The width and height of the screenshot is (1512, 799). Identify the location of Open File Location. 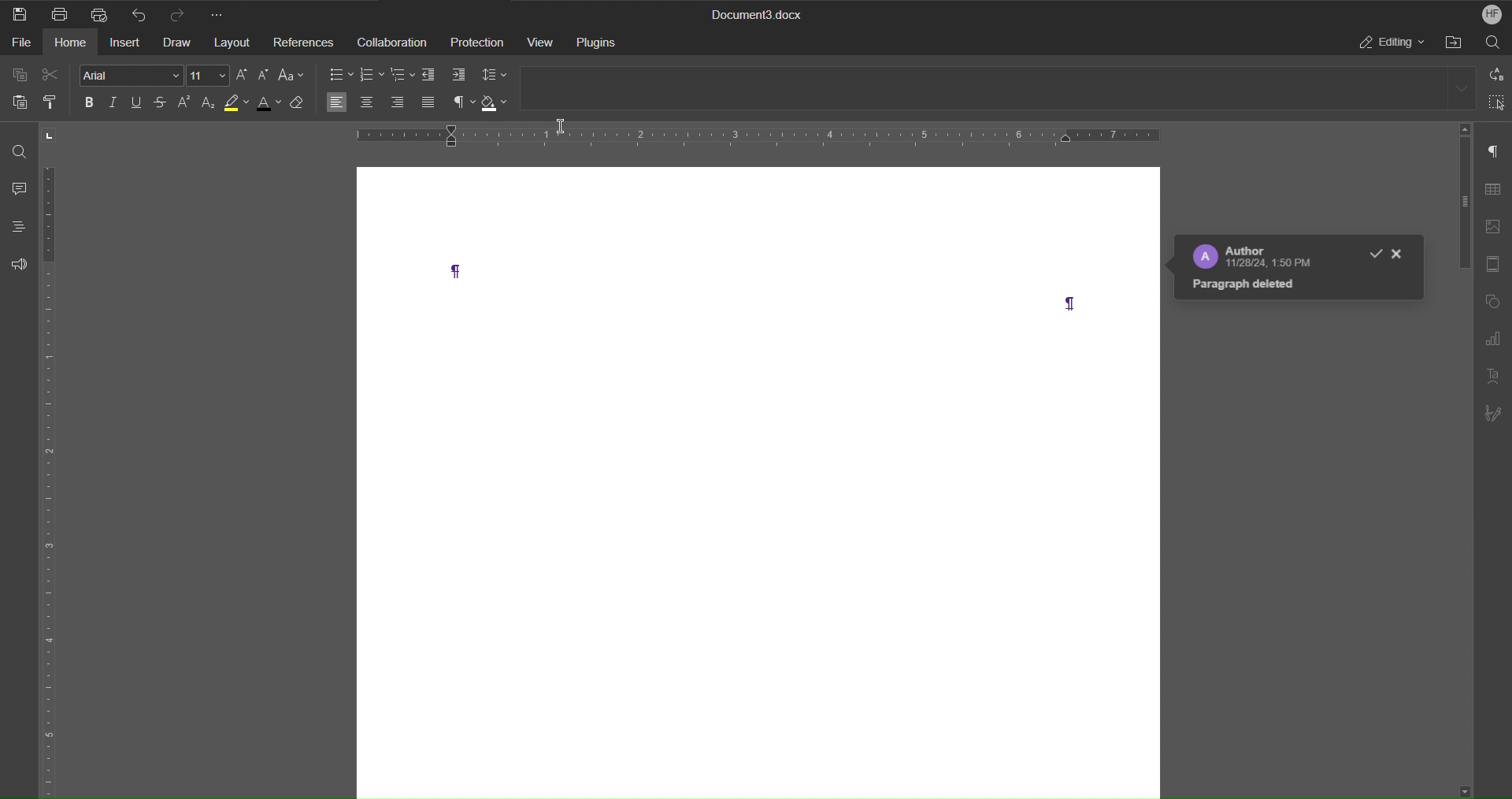
(1453, 43).